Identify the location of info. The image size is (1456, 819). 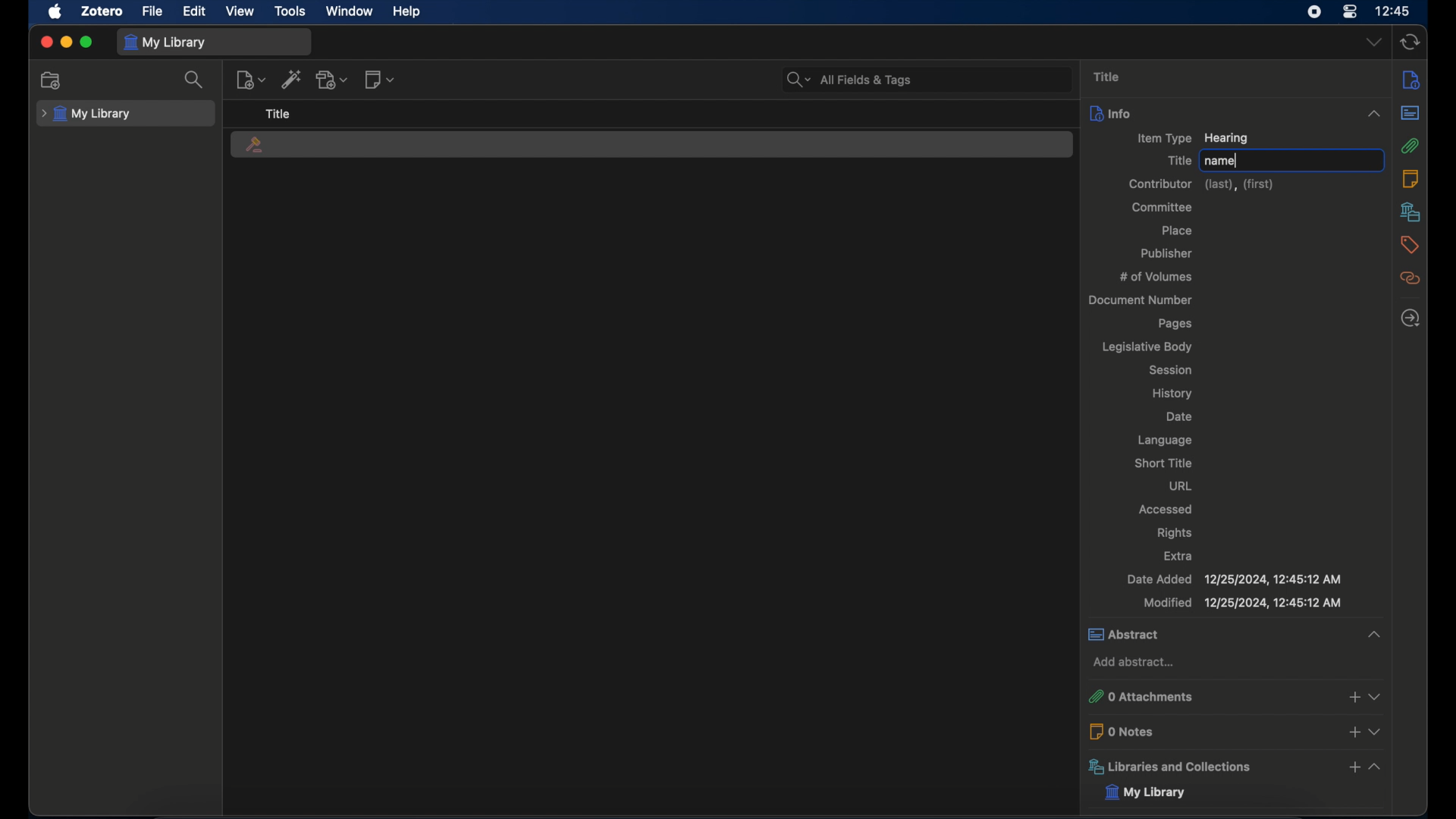
(1412, 80).